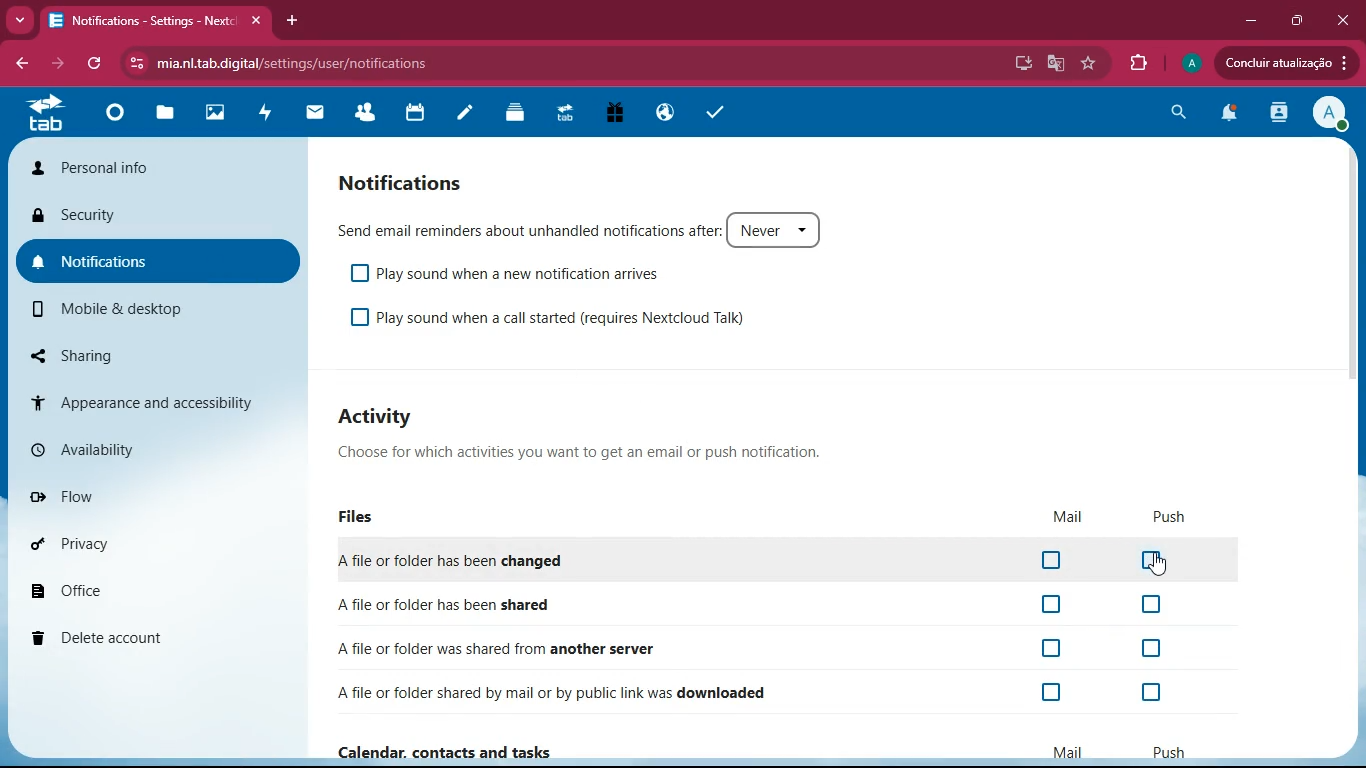  Describe the element at coordinates (565, 112) in the screenshot. I see `tab` at that location.